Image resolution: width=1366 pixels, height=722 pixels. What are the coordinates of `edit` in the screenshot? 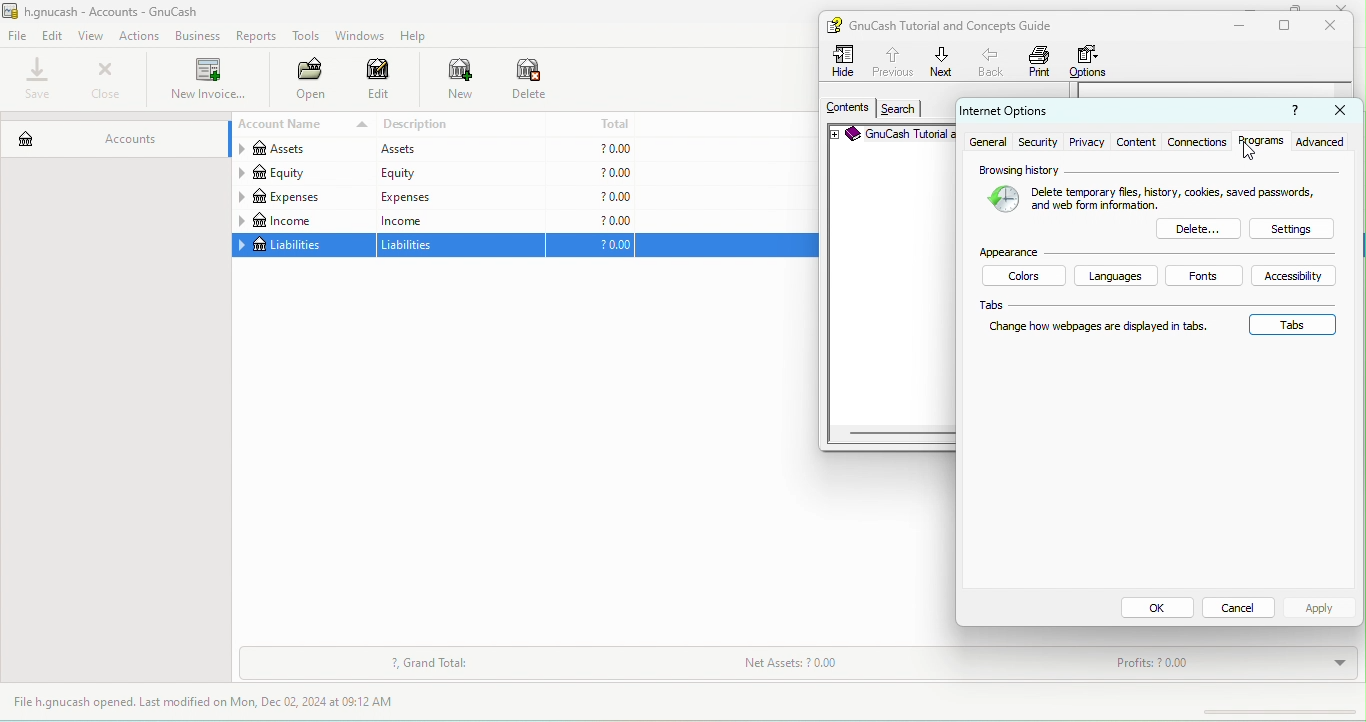 It's located at (54, 35).